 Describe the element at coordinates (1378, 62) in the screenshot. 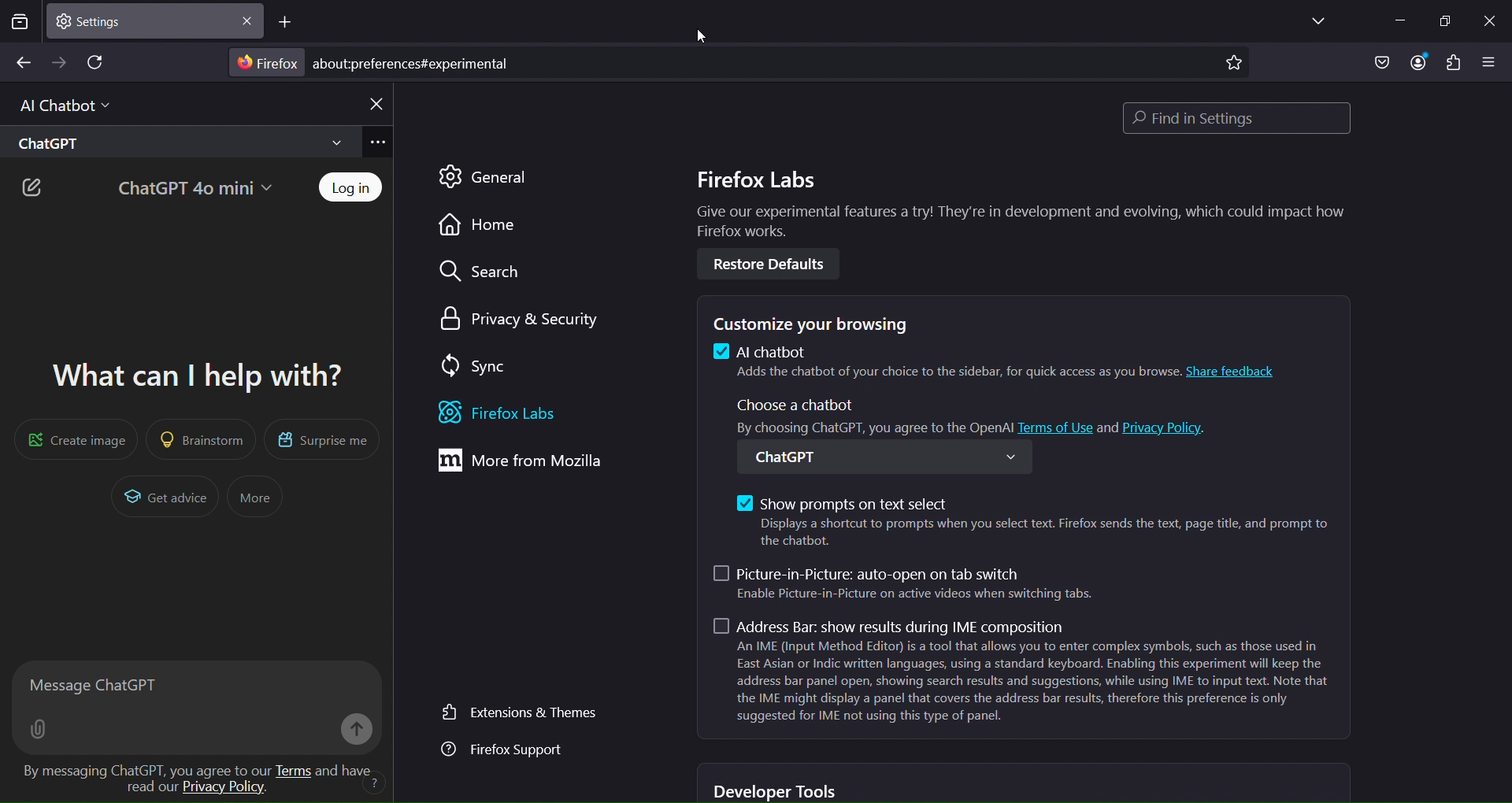

I see `save to pocket` at that location.